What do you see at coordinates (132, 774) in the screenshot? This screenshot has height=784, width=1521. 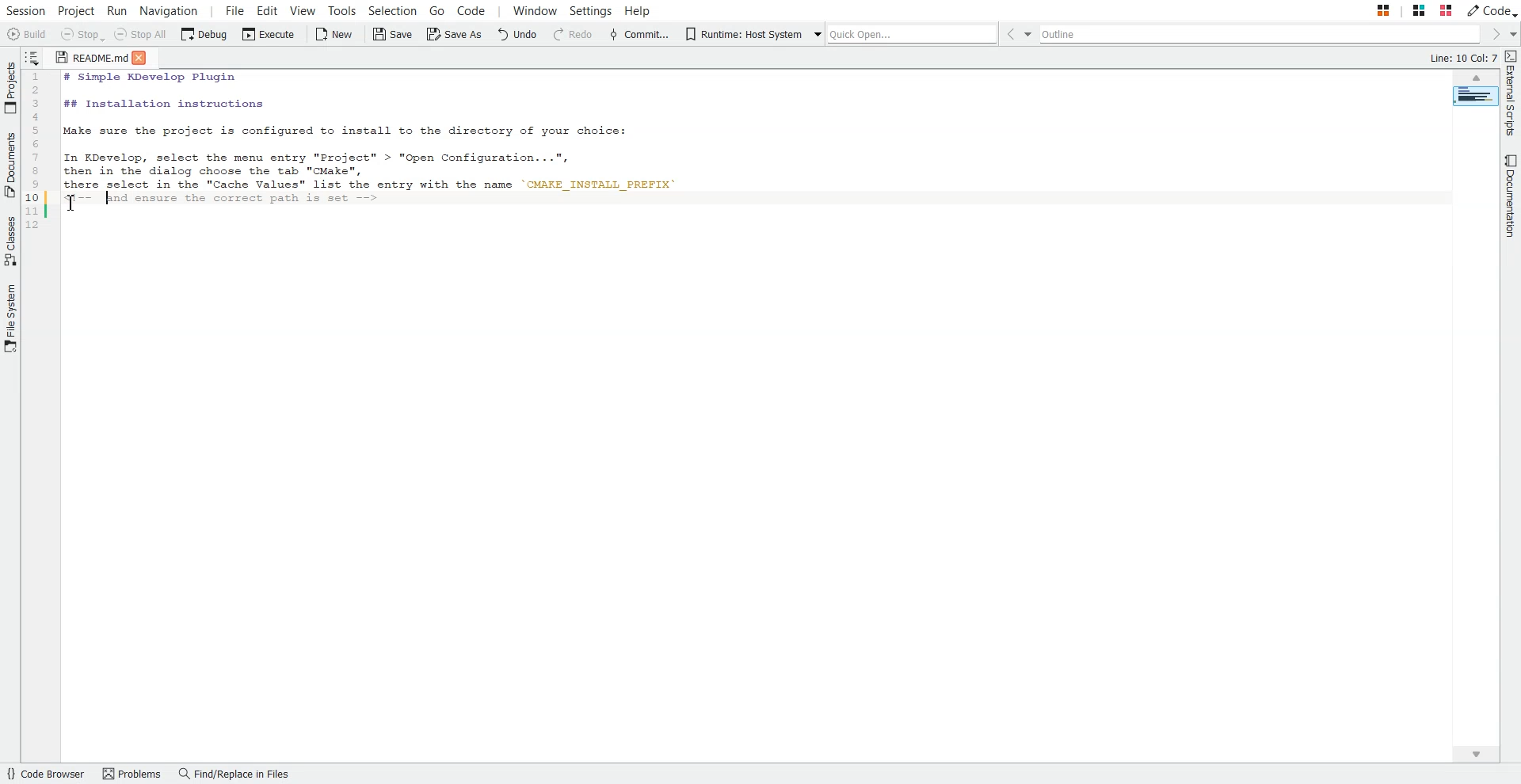 I see `Problems` at bounding box center [132, 774].